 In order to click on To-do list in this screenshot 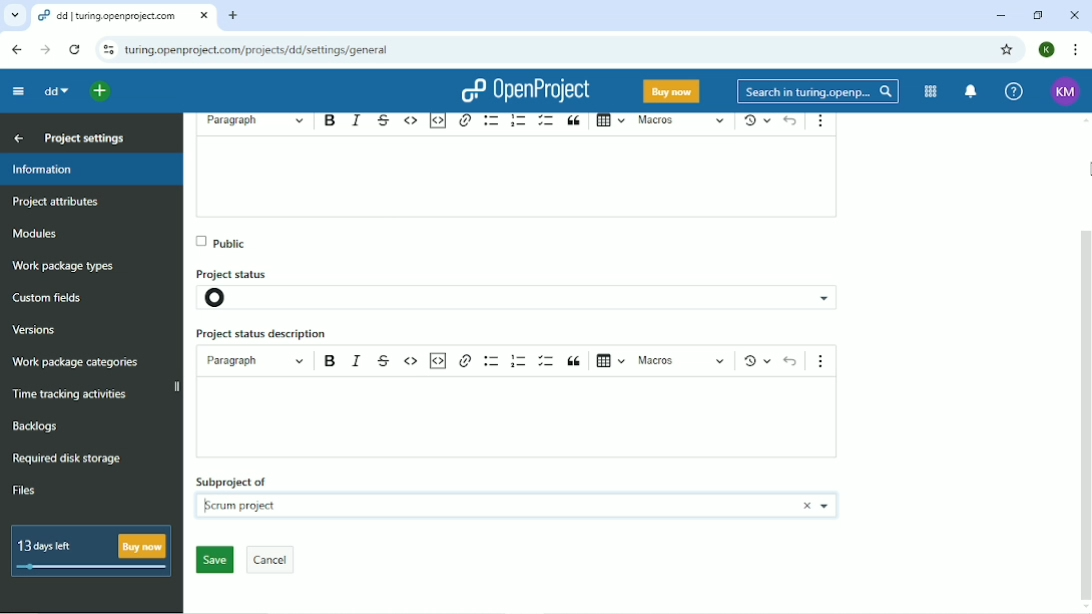, I will do `click(546, 360)`.